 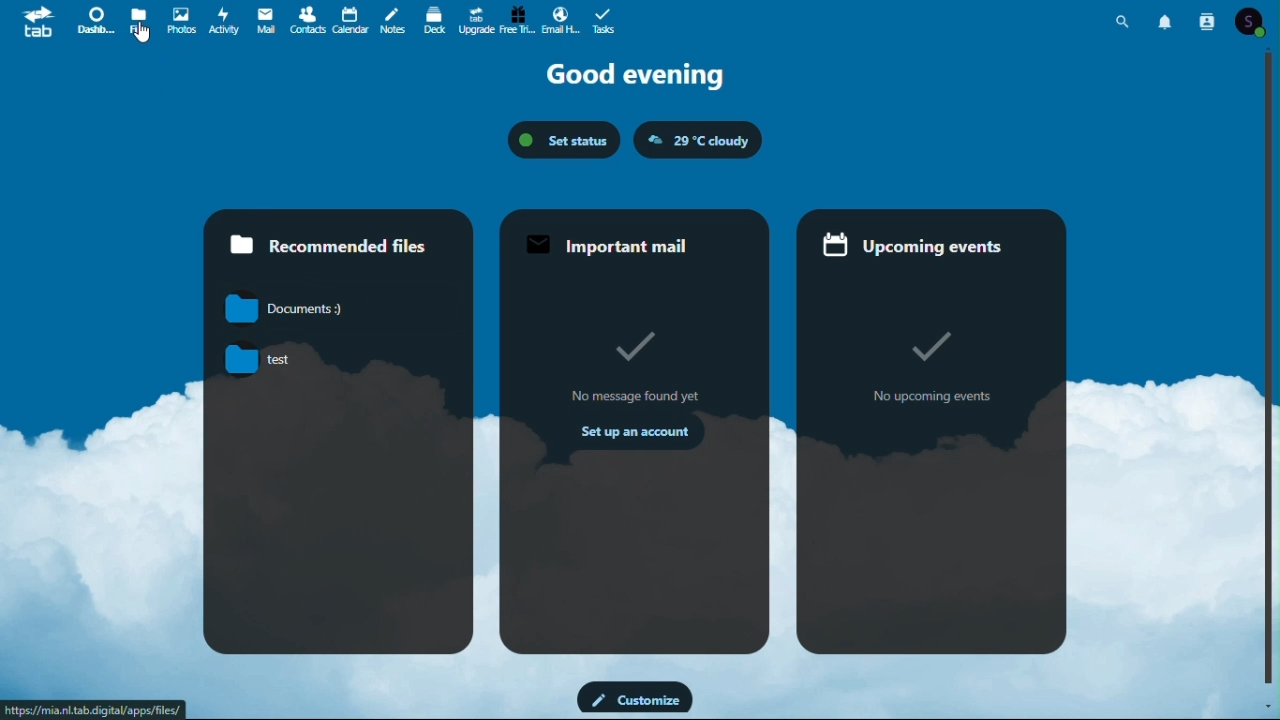 I want to click on tab, so click(x=34, y=22).